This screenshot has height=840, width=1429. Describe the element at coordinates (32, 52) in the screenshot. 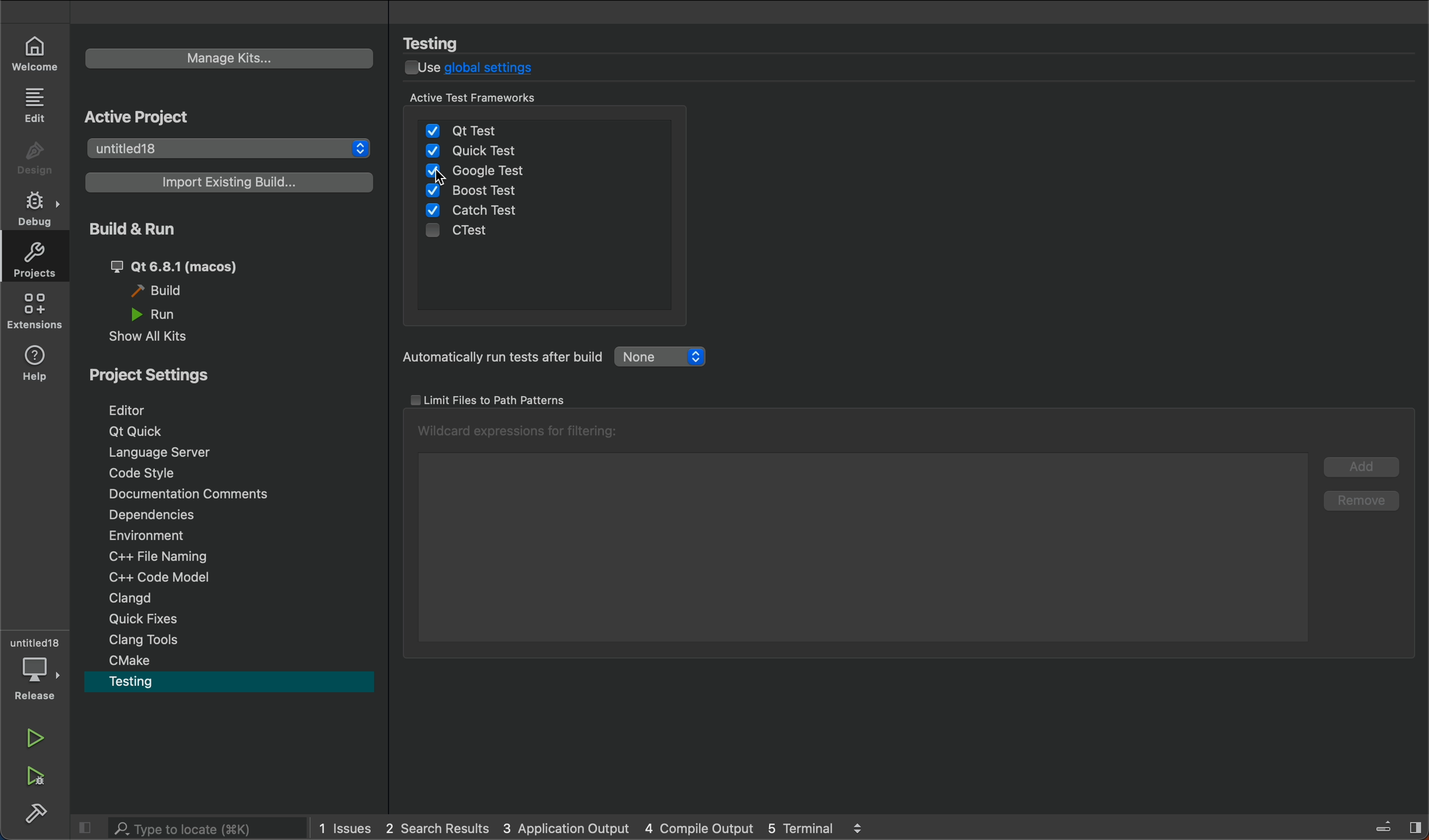

I see `welcome` at that location.